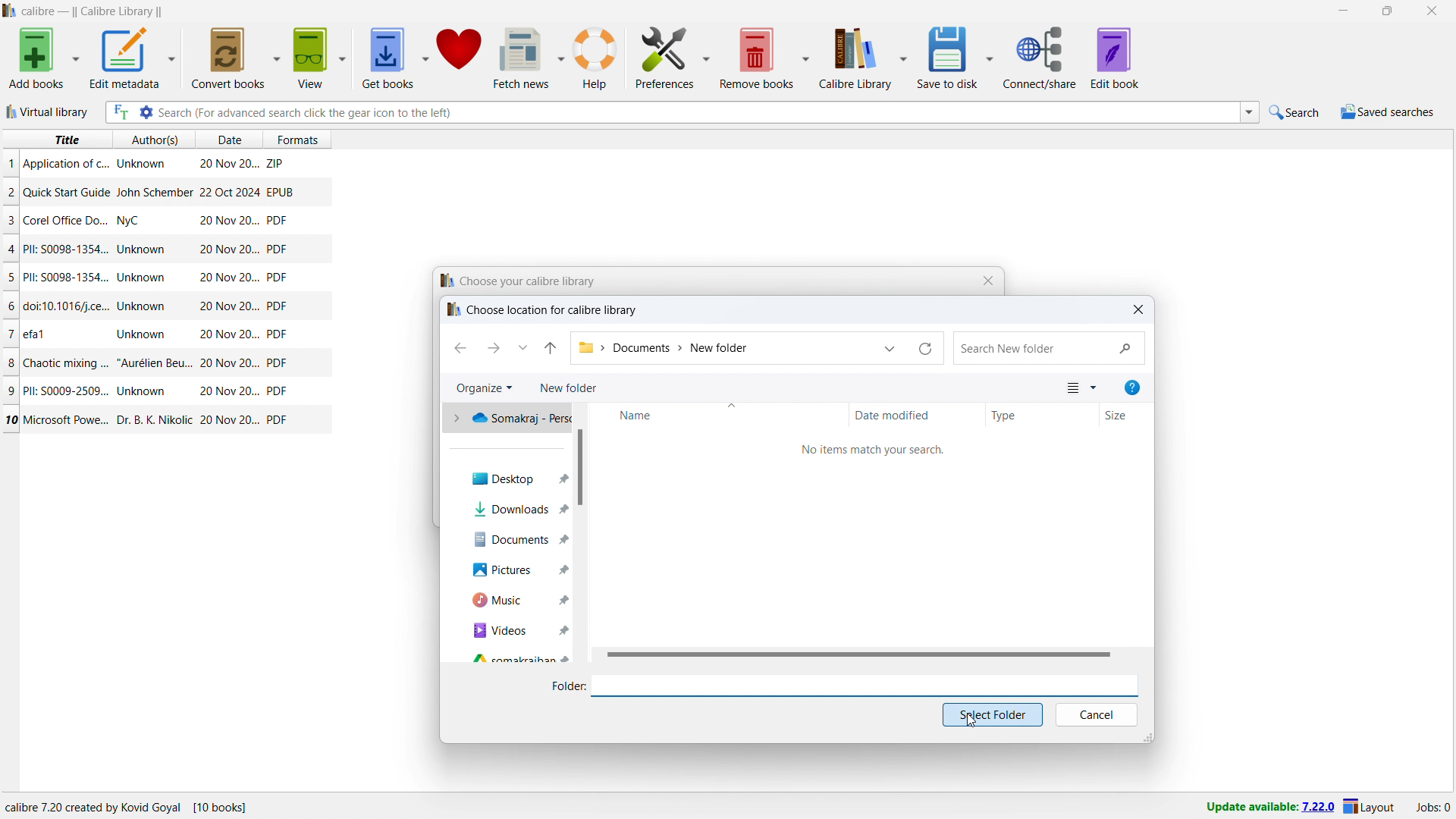 This screenshot has width=1456, height=819. What do you see at coordinates (278, 334) in the screenshot?
I see `PDF` at bounding box center [278, 334].